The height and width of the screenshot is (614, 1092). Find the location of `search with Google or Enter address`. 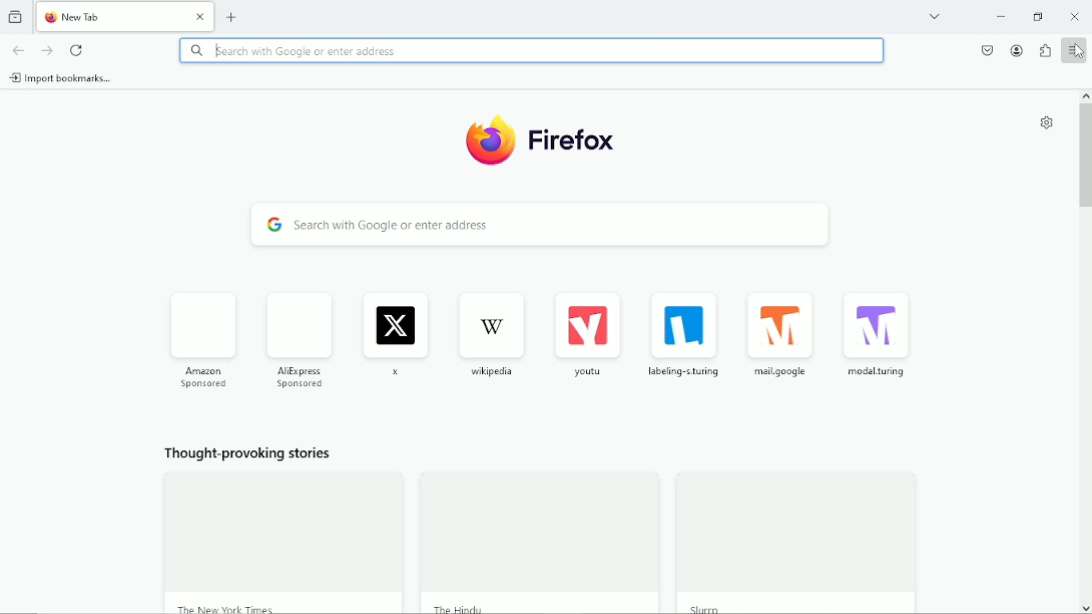

search with Google or Enter address is located at coordinates (532, 51).